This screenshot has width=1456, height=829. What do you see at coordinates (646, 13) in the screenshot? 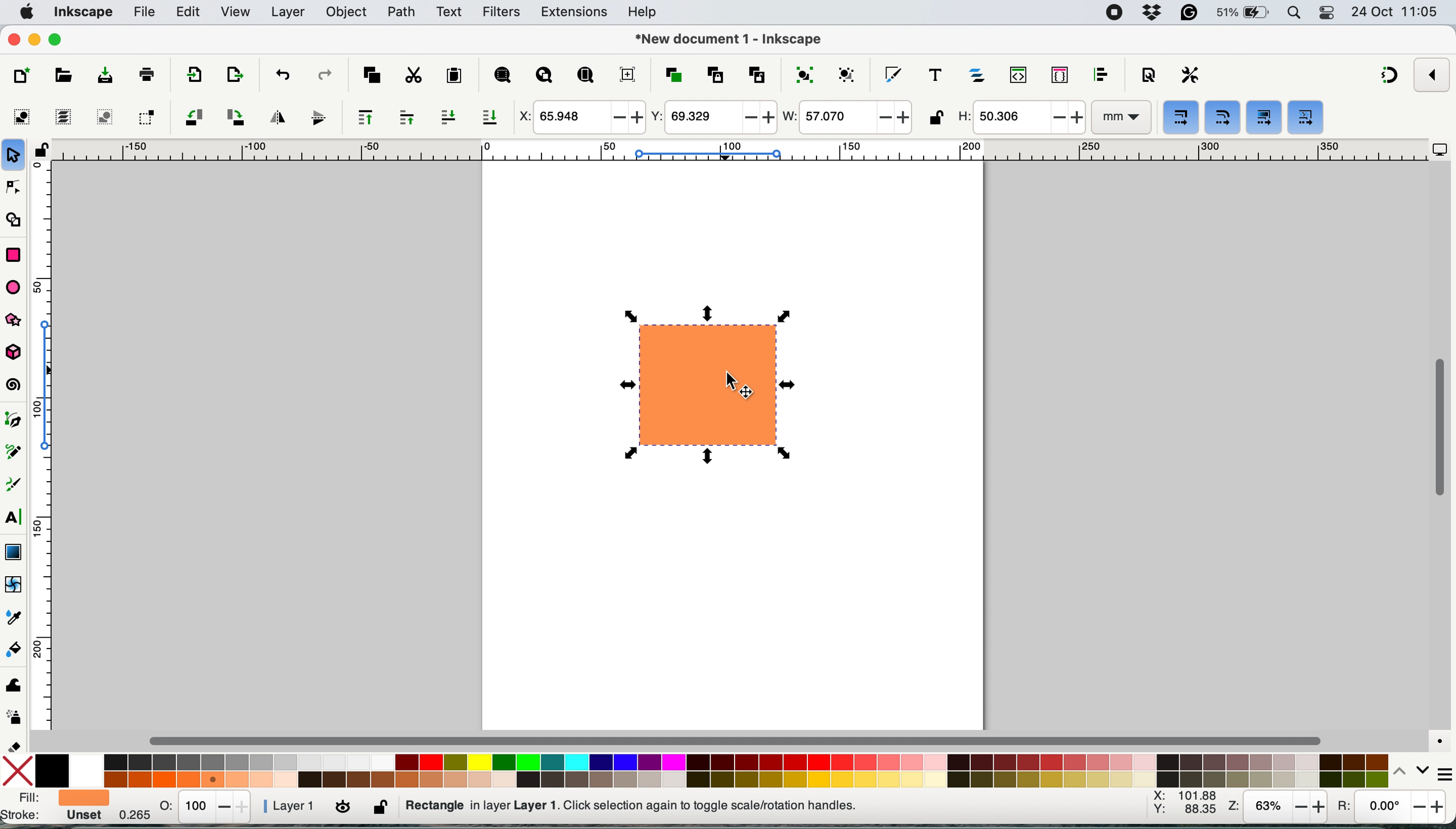
I see `help` at bounding box center [646, 13].